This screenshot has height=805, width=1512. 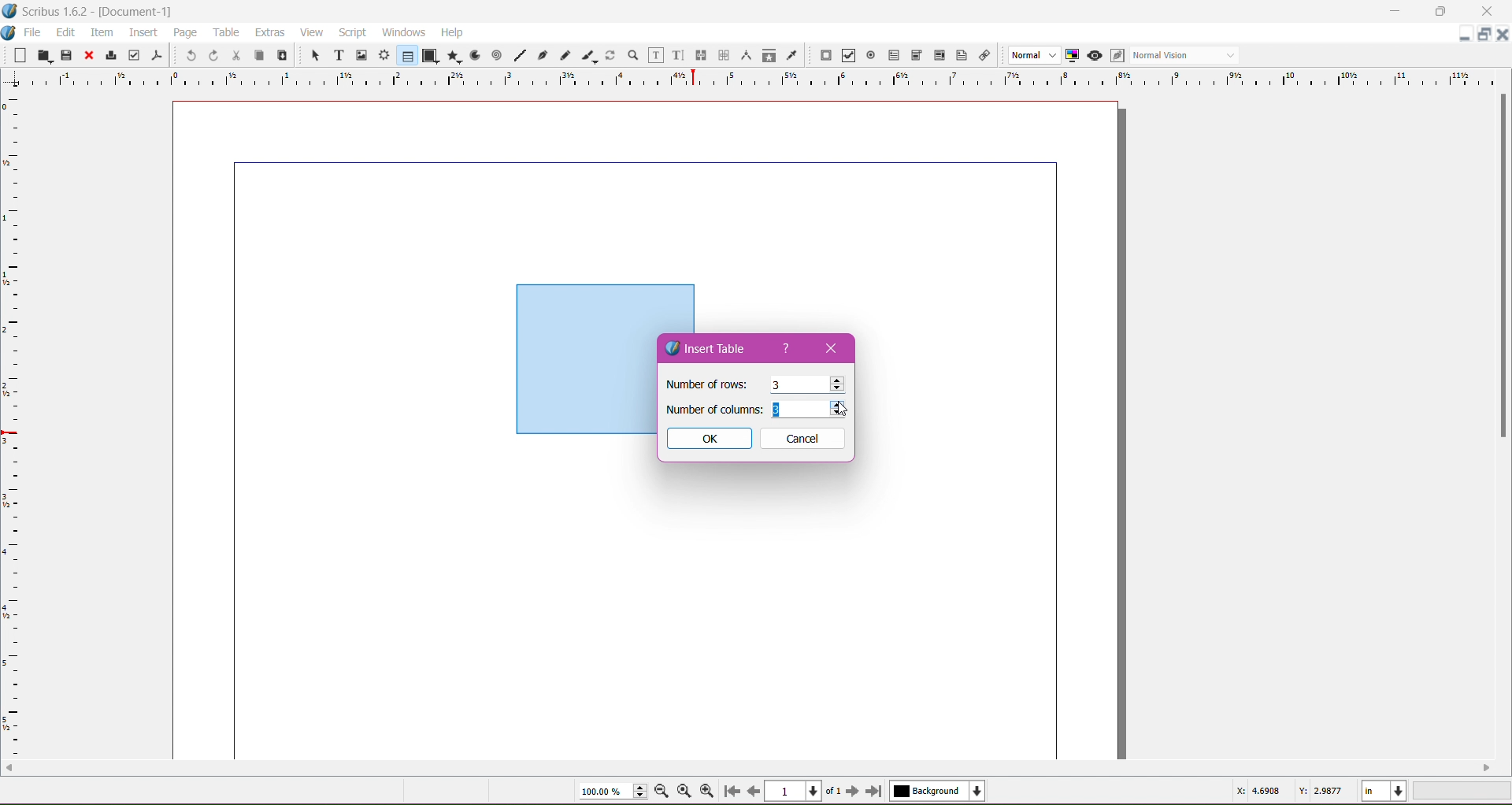 I want to click on Arc, so click(x=473, y=54).